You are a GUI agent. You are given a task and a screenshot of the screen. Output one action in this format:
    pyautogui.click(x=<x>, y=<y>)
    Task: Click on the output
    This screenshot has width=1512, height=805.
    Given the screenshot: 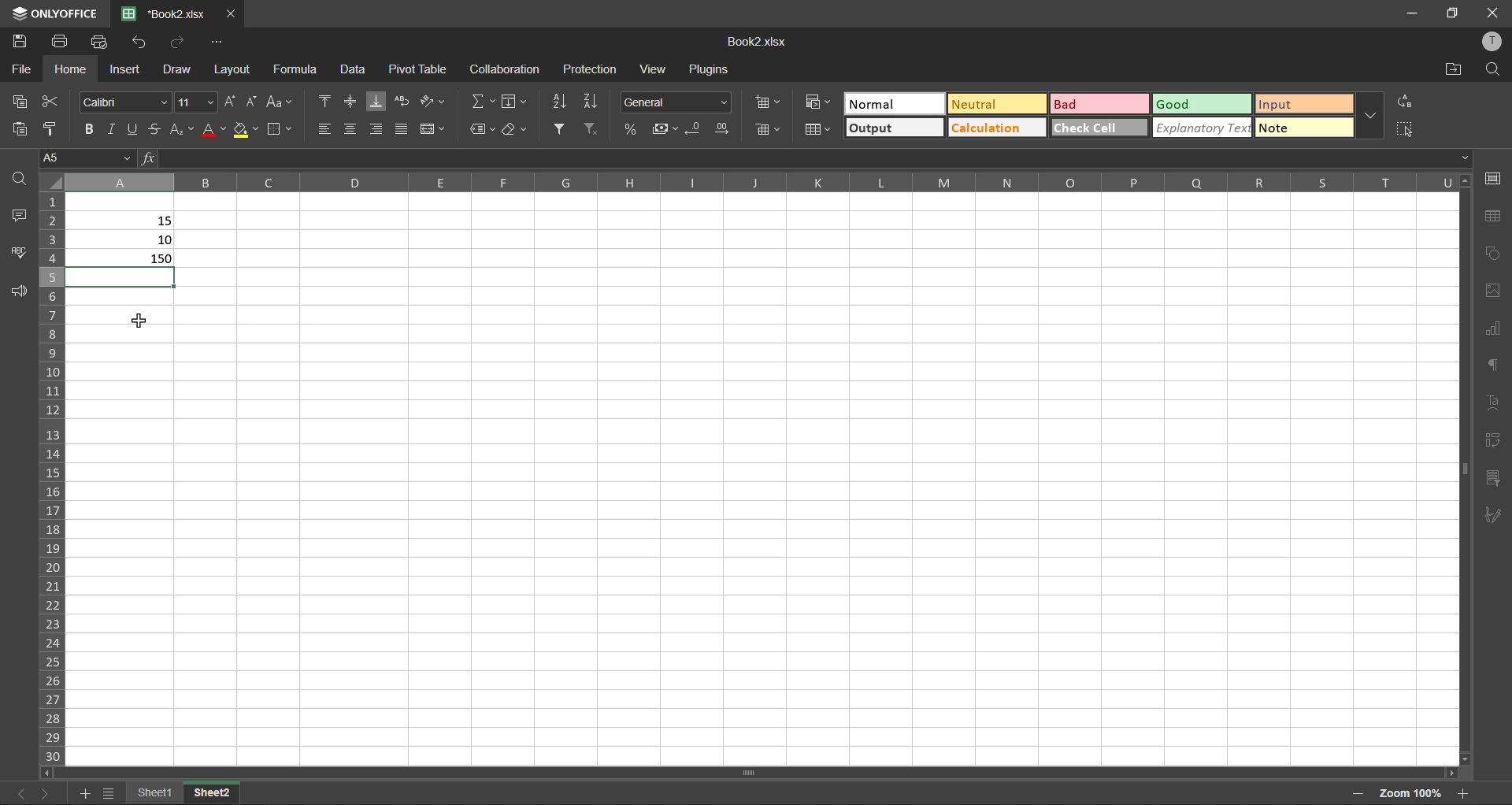 What is the action you would take?
    pyautogui.click(x=895, y=127)
    